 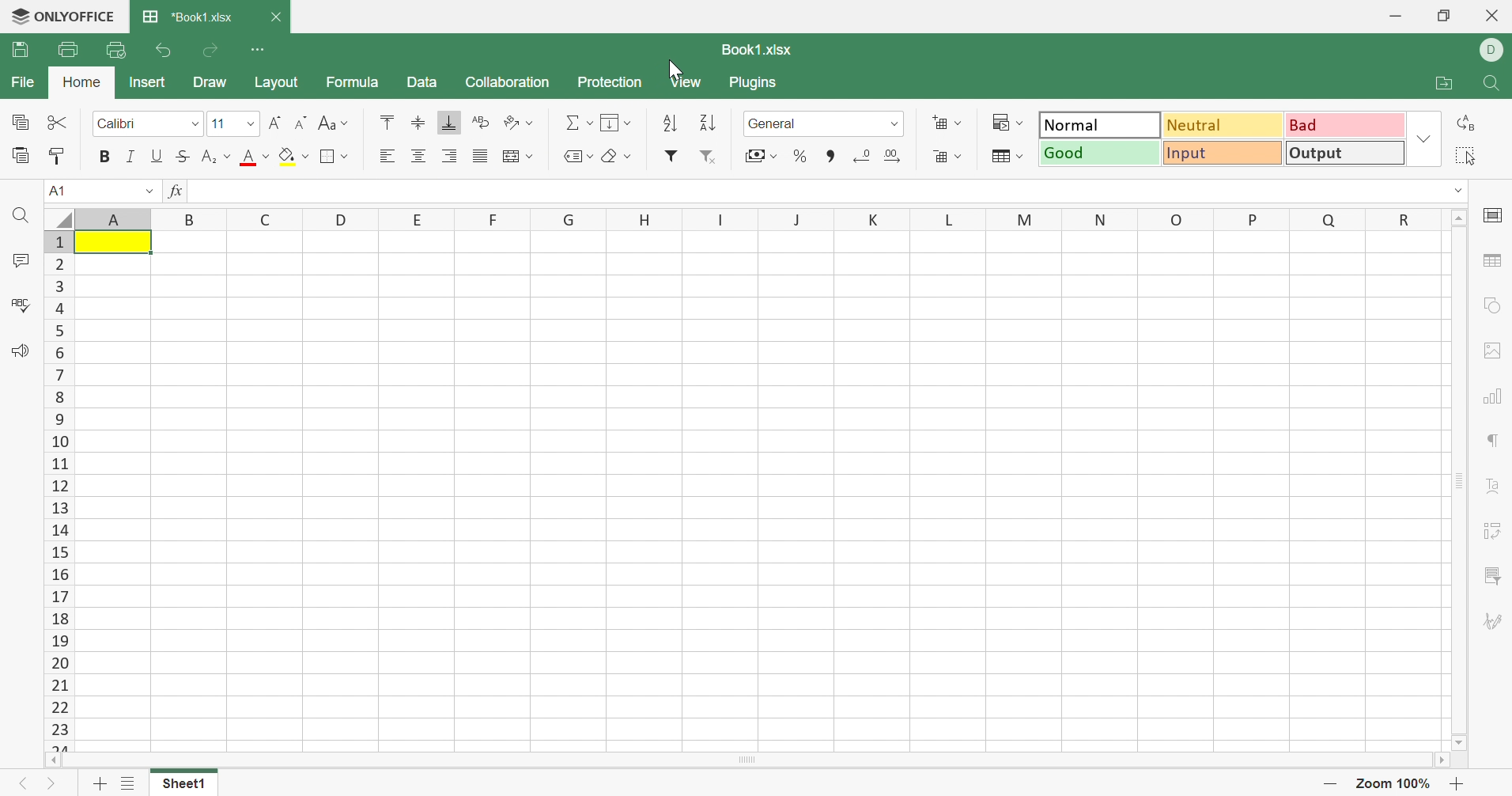 What do you see at coordinates (1224, 153) in the screenshot?
I see `Input` at bounding box center [1224, 153].